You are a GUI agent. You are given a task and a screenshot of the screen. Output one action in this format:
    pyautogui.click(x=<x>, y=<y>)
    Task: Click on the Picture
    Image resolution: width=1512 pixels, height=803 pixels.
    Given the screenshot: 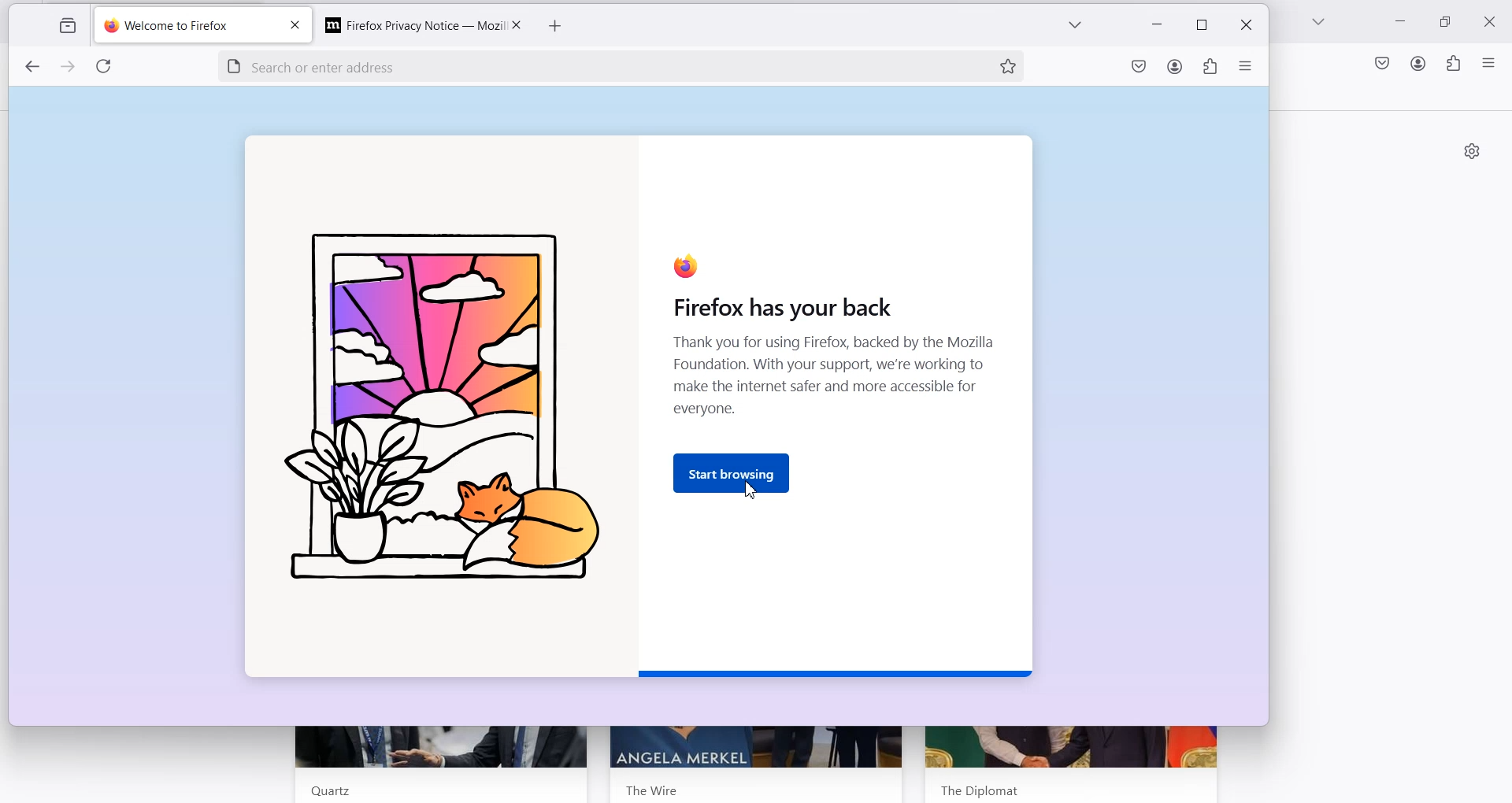 What is the action you would take?
    pyautogui.click(x=439, y=409)
    